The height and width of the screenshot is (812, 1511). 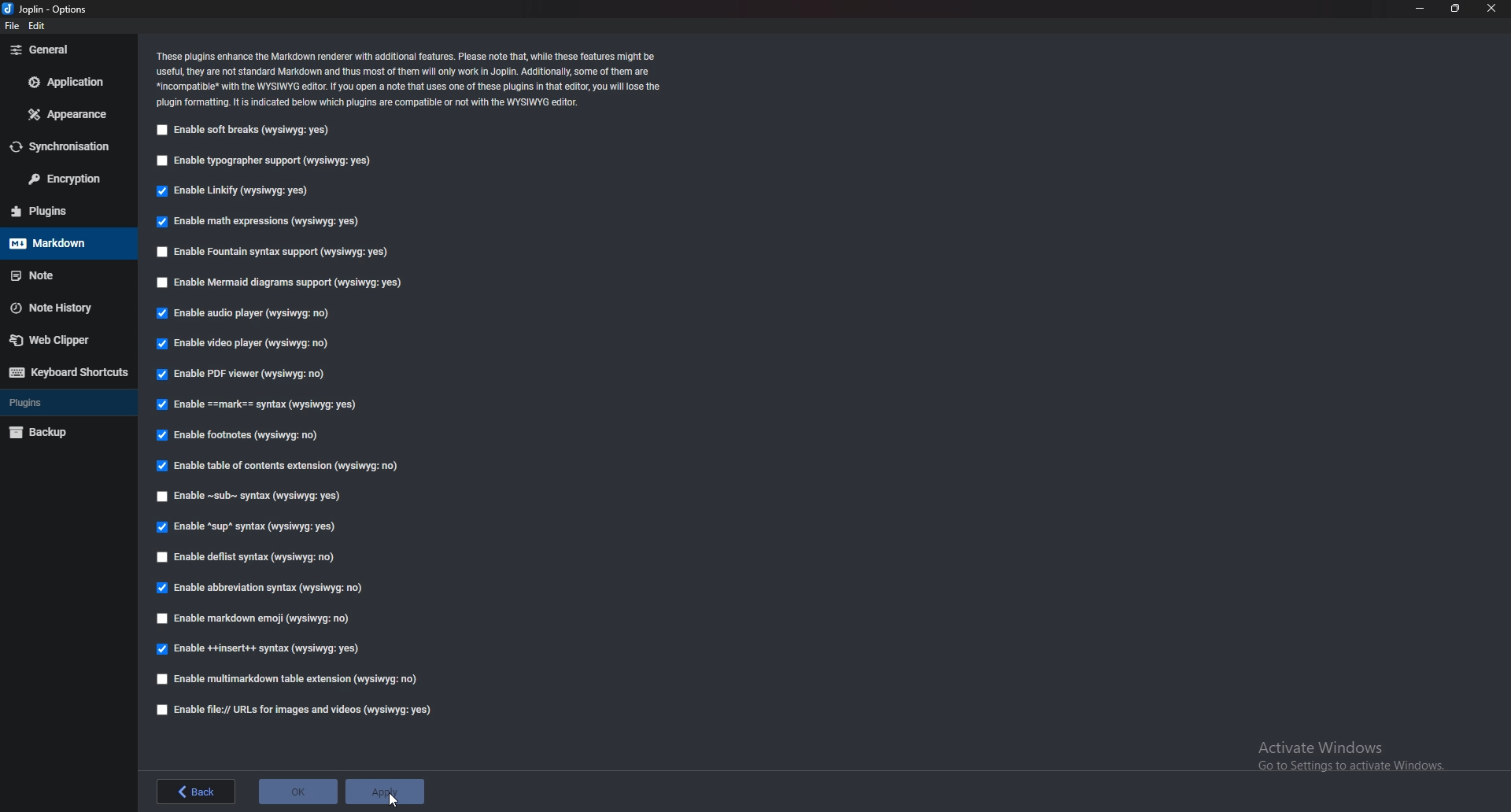 I want to click on Enable table of contents extension, so click(x=283, y=465).